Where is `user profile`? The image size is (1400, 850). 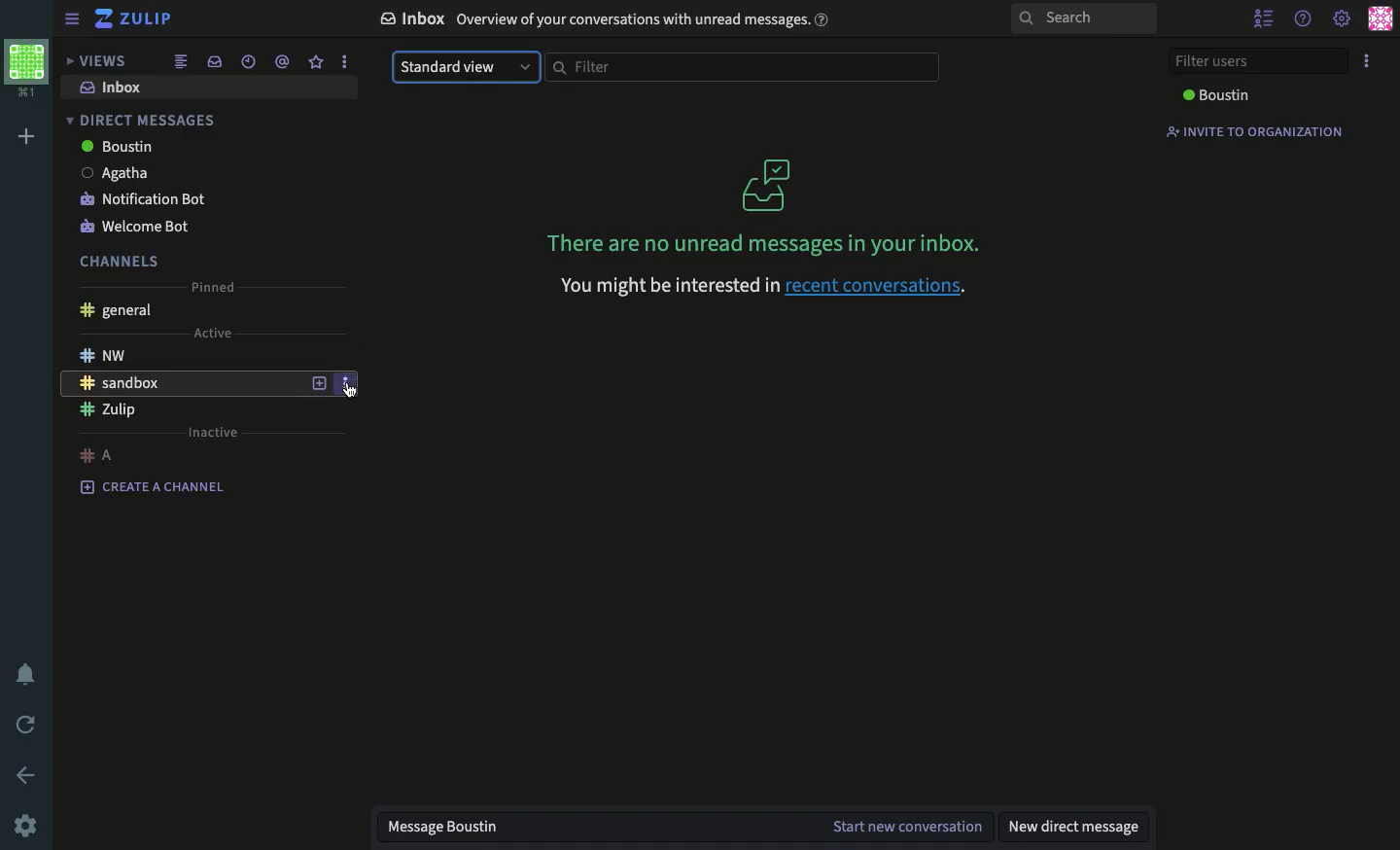
user profile is located at coordinates (1382, 17).